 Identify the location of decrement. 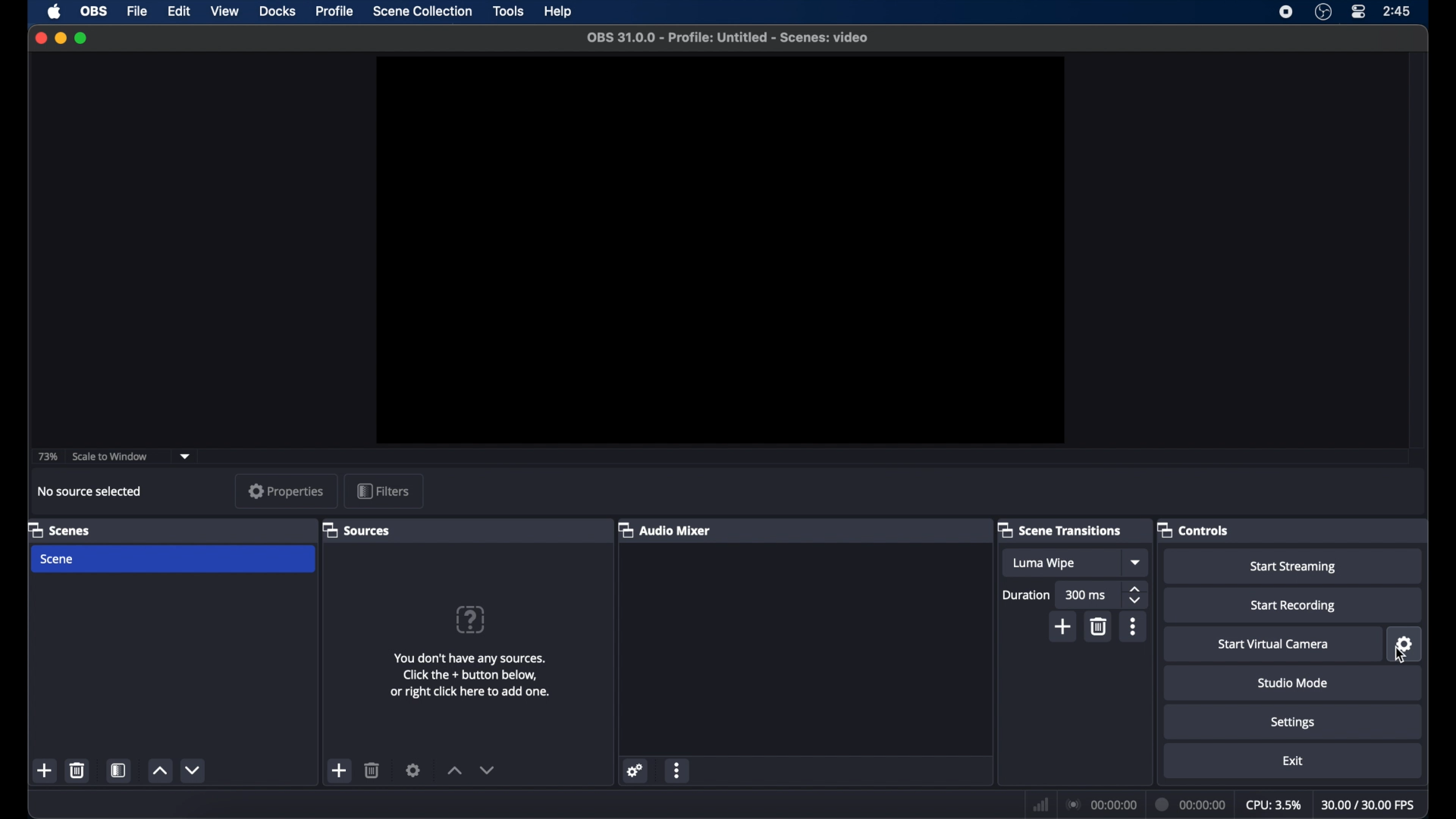
(193, 770).